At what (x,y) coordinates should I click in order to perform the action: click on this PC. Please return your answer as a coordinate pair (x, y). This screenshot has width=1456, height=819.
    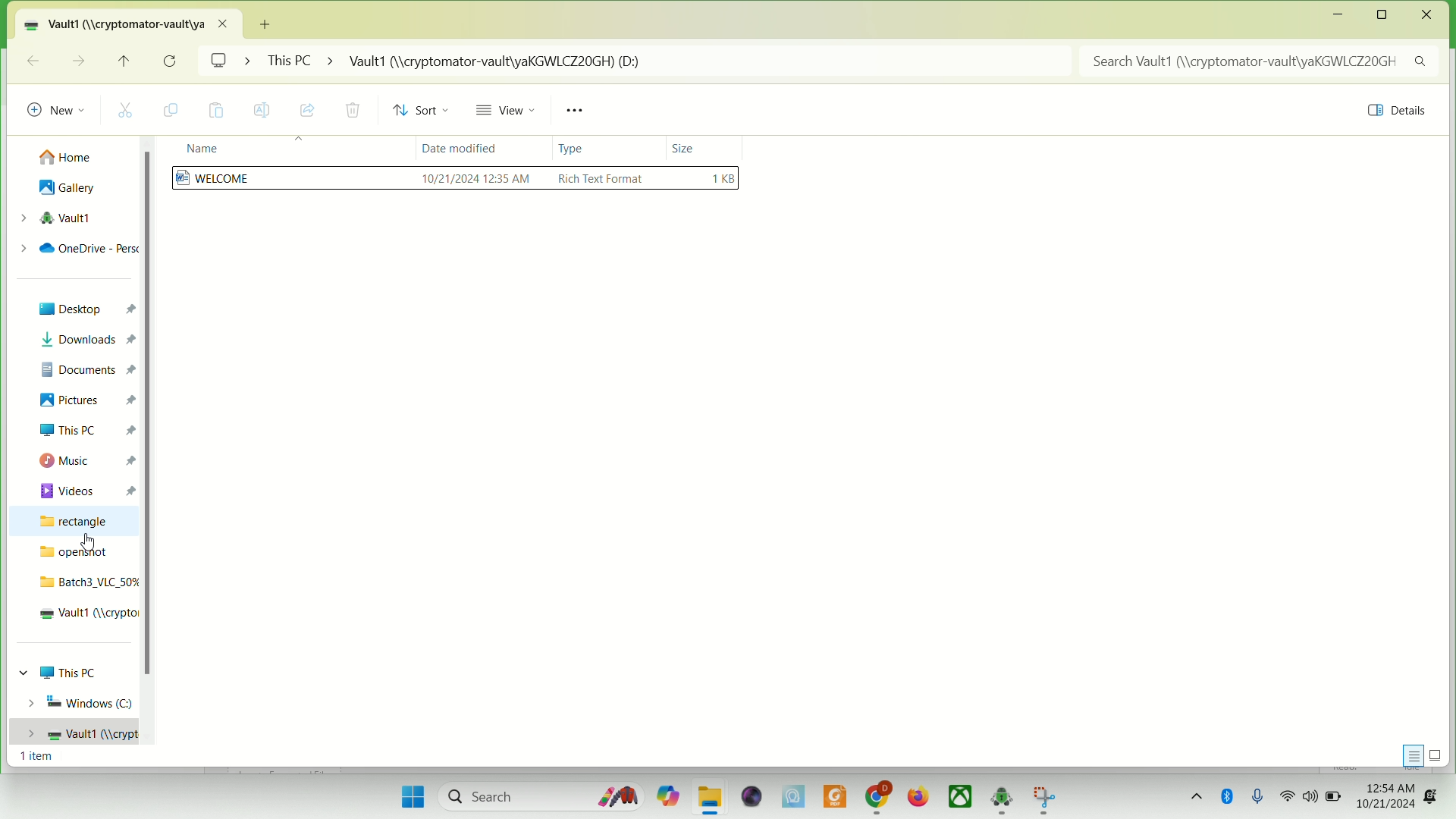
    Looking at the image, I should click on (85, 428).